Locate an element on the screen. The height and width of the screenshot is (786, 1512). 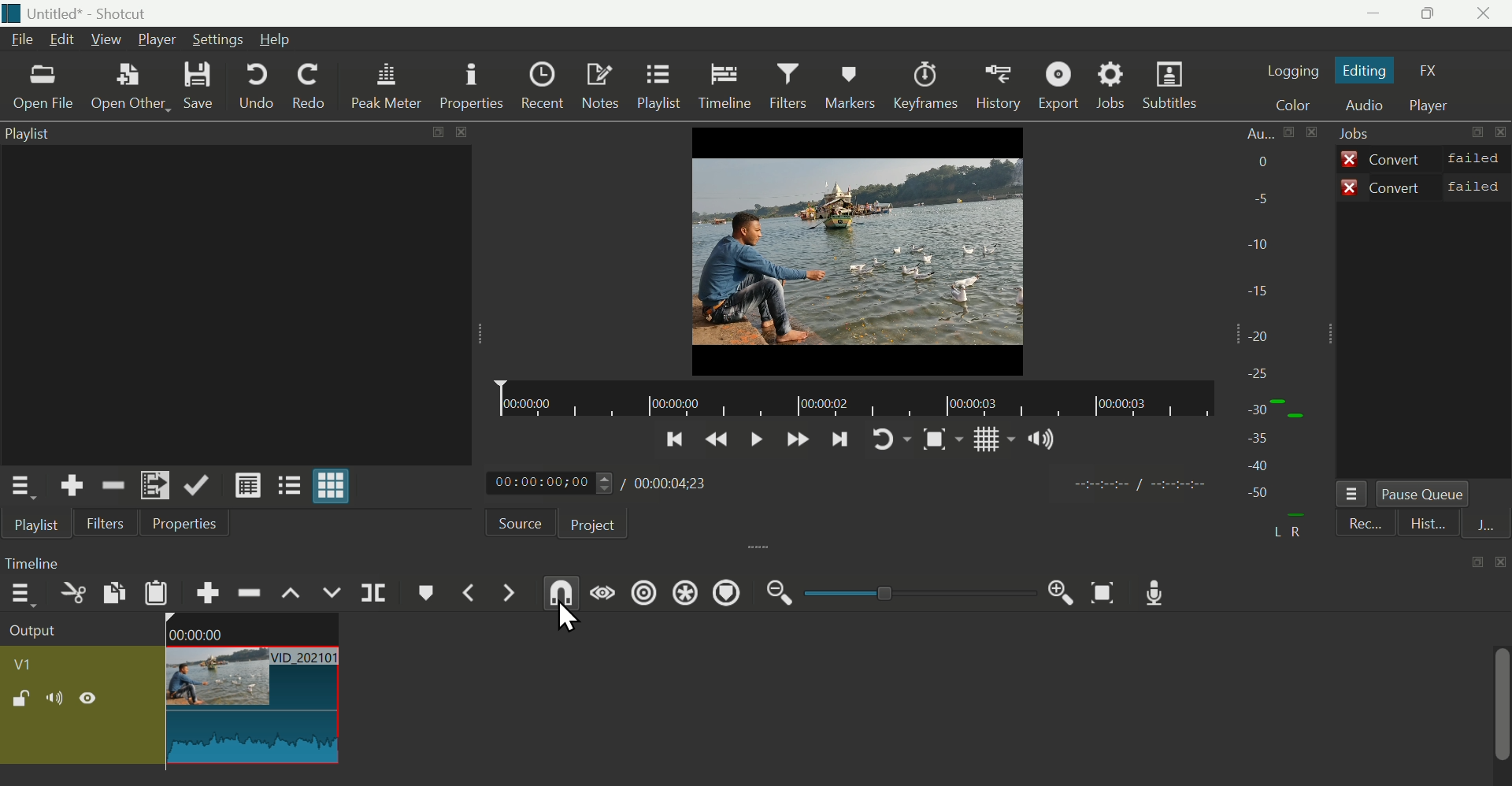
Time is located at coordinates (38, 562).